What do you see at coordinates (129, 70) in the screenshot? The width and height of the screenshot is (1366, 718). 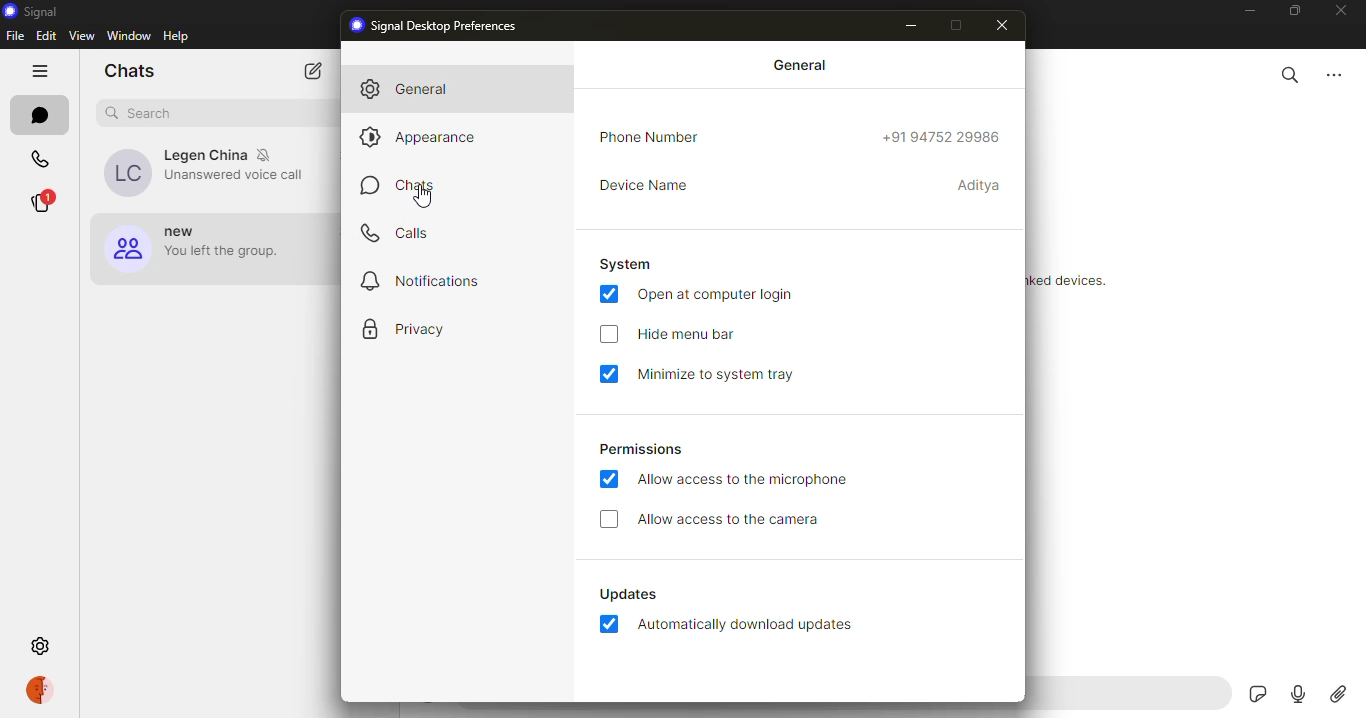 I see `chats` at bounding box center [129, 70].